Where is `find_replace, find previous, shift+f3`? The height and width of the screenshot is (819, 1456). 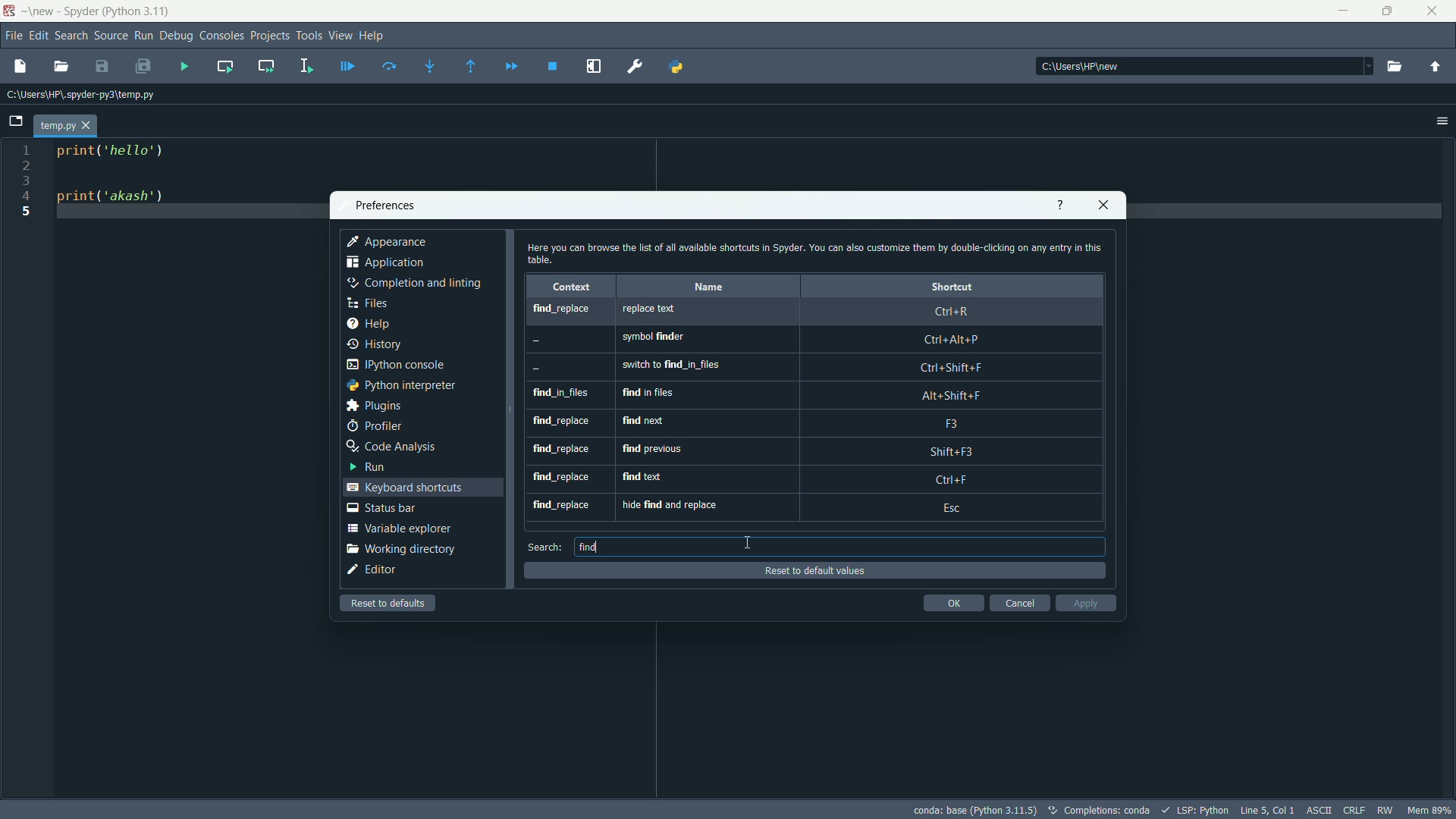
find_replace, find previous, shift+f3 is located at coordinates (802, 453).